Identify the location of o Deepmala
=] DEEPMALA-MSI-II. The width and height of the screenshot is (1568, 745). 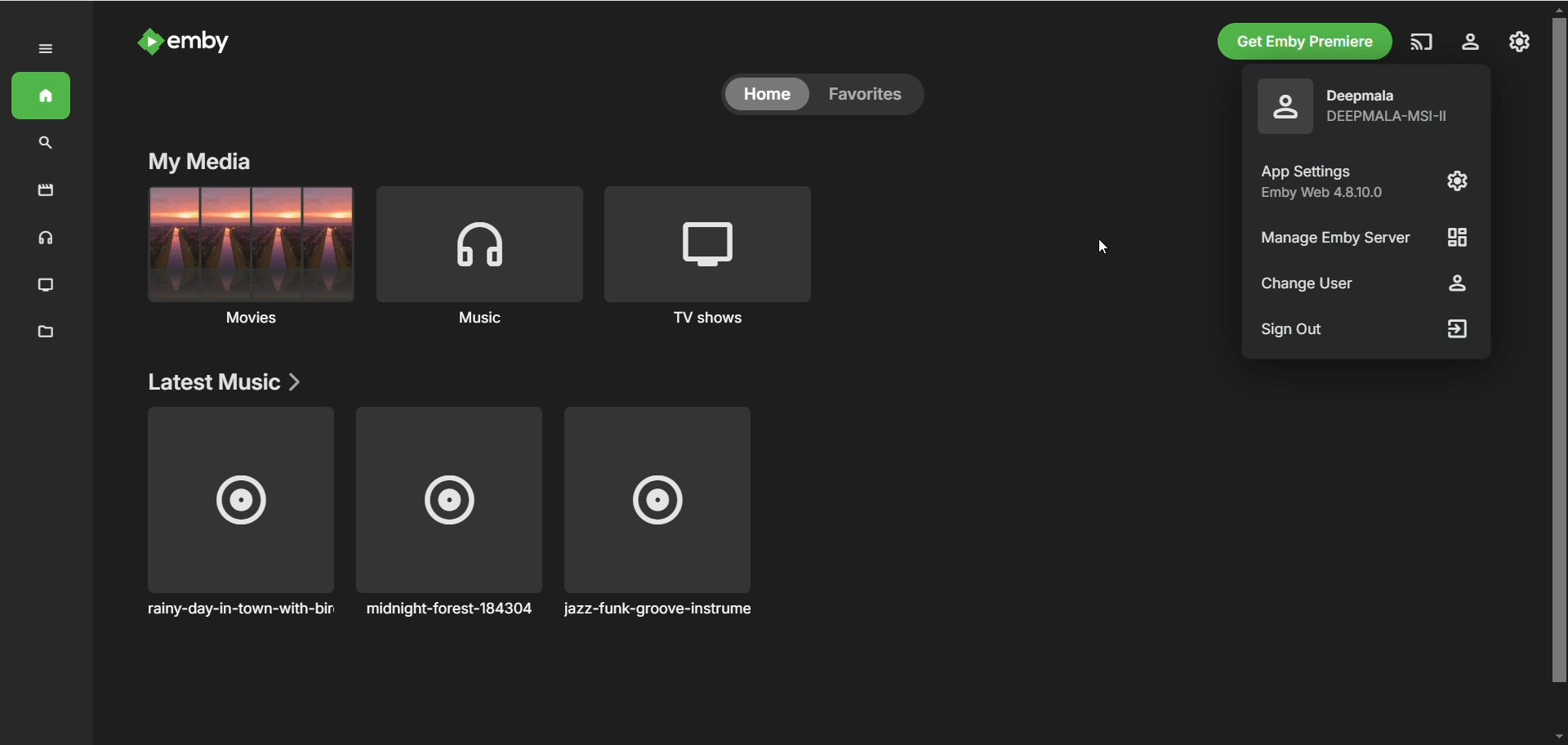
(1361, 105).